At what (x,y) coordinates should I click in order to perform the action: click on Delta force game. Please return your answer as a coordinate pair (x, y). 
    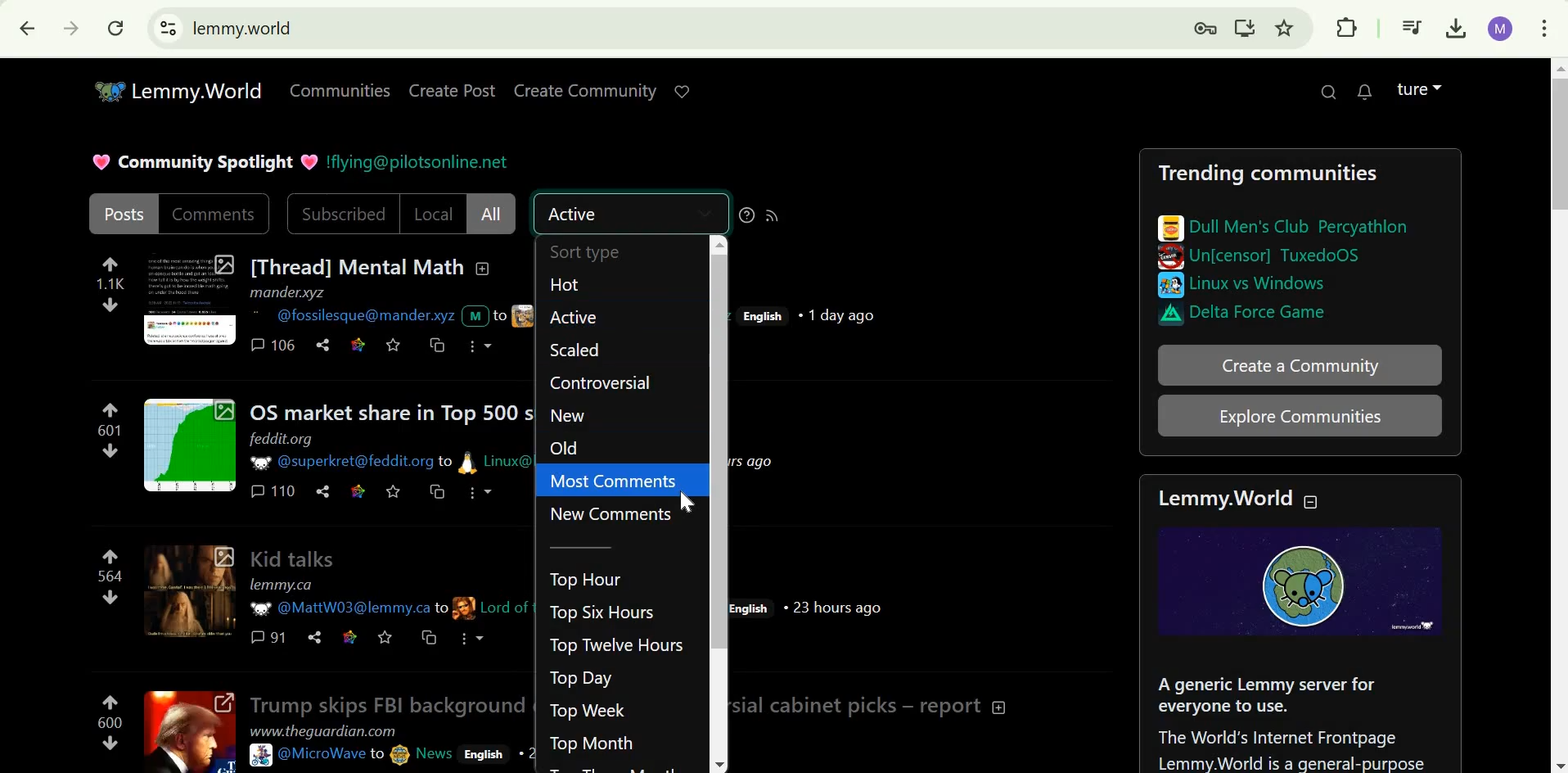
    Looking at the image, I should click on (1265, 313).